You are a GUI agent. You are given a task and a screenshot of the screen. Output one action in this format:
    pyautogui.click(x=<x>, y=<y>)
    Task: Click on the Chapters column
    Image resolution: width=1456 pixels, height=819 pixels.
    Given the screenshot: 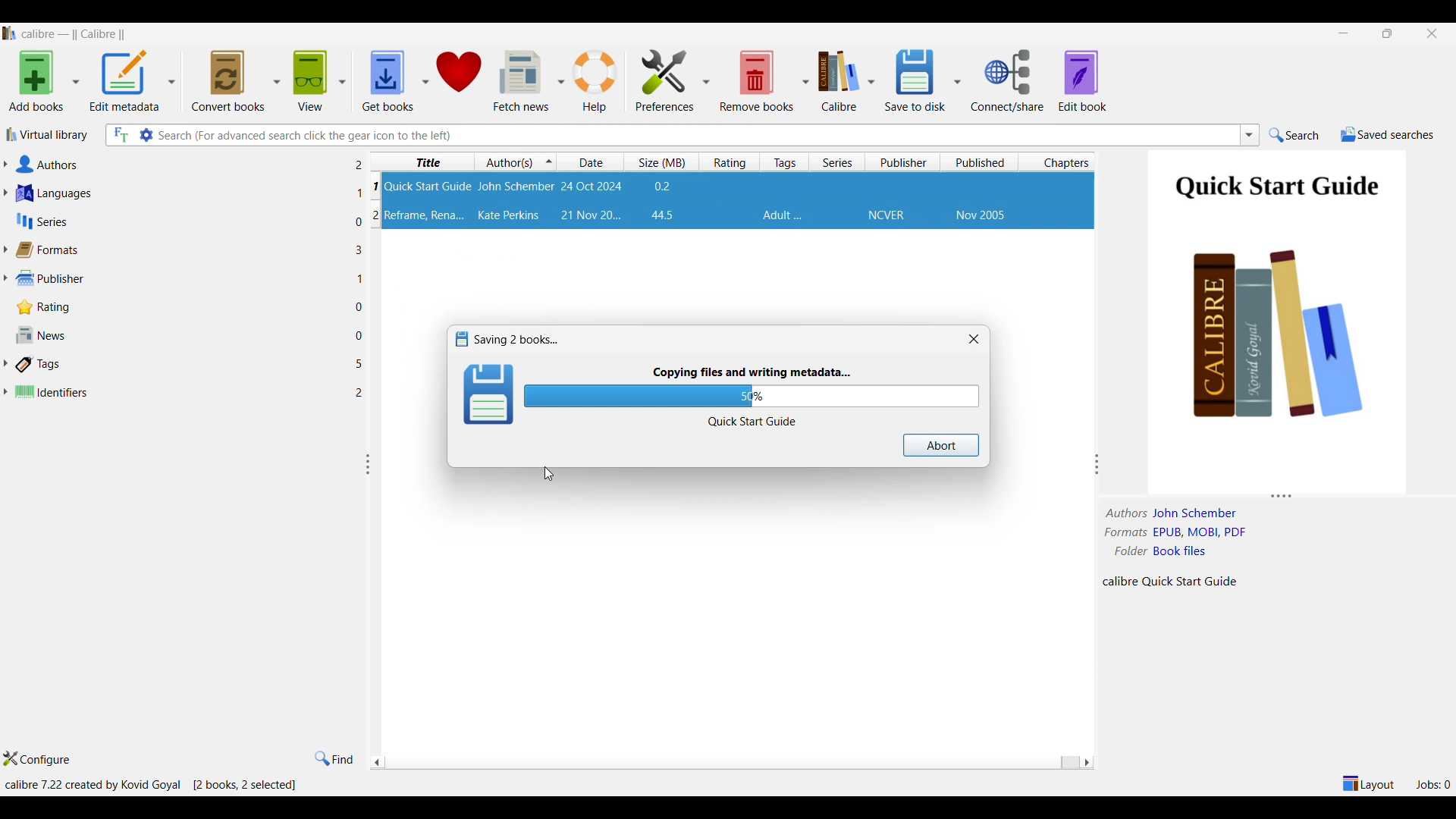 What is the action you would take?
    pyautogui.click(x=1062, y=162)
    